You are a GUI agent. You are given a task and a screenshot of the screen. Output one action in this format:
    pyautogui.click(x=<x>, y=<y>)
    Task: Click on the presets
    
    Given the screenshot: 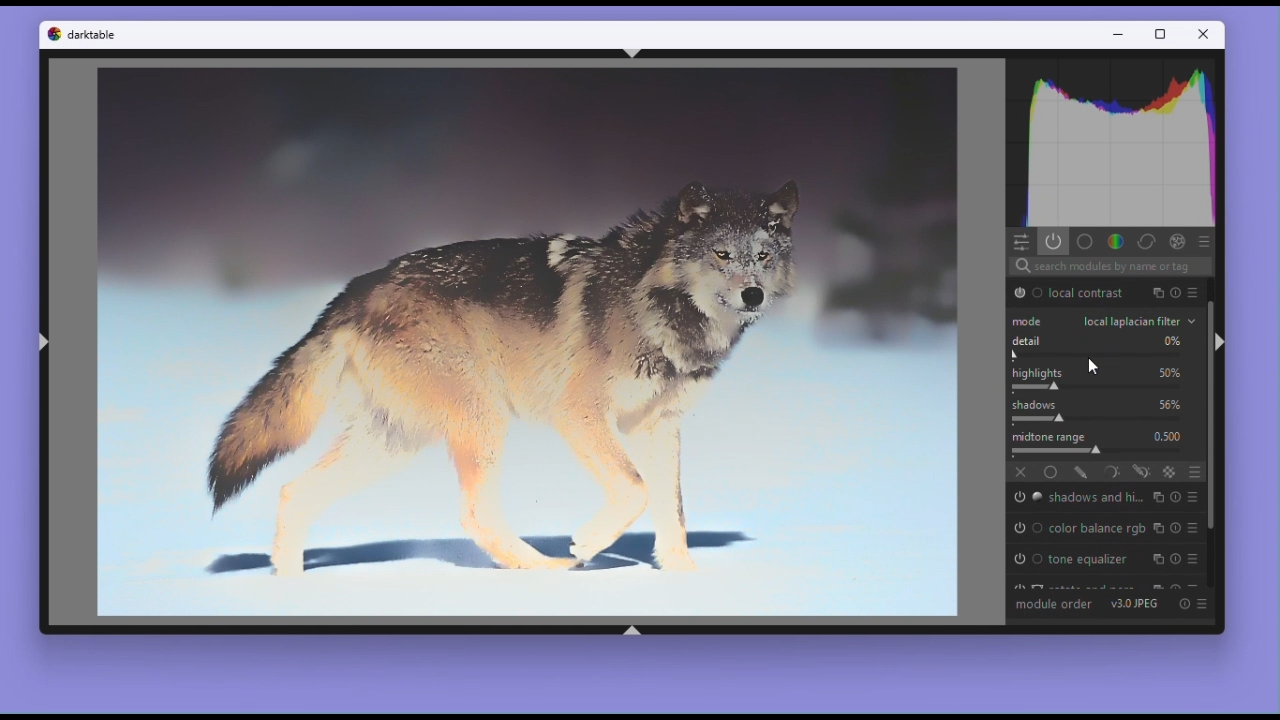 What is the action you would take?
    pyautogui.click(x=1178, y=295)
    